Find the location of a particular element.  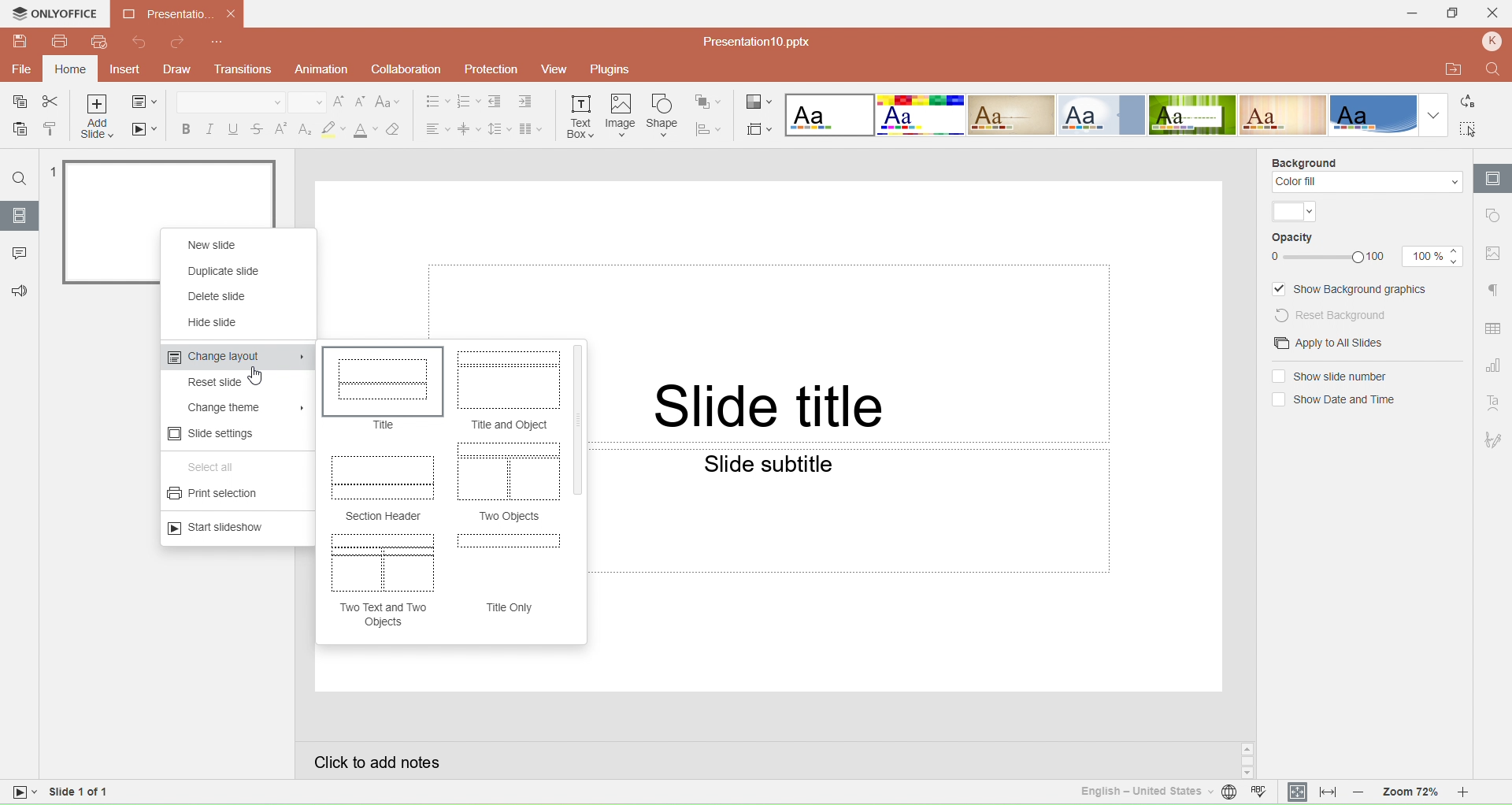

Only office is located at coordinates (56, 16).